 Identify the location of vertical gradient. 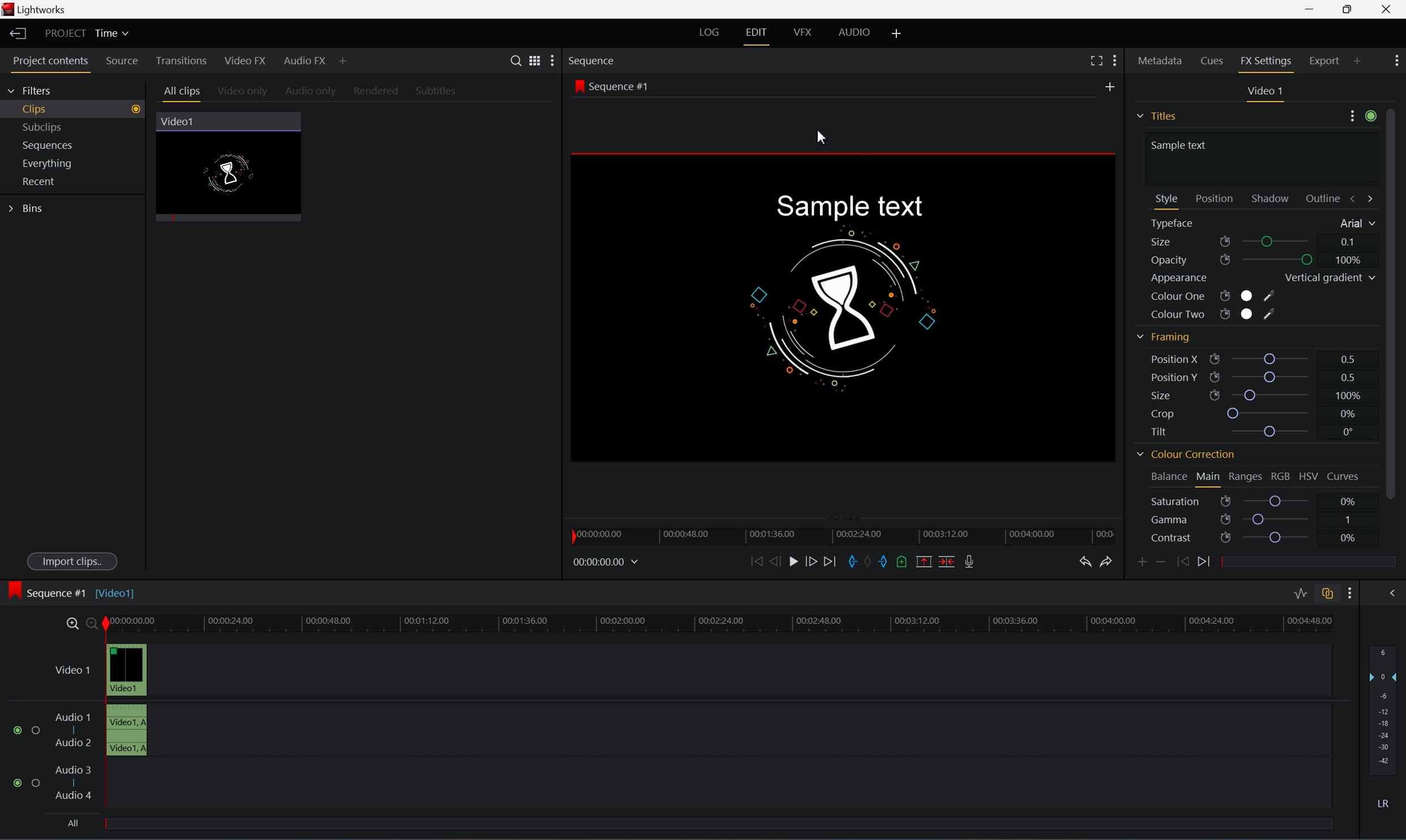
(1328, 279).